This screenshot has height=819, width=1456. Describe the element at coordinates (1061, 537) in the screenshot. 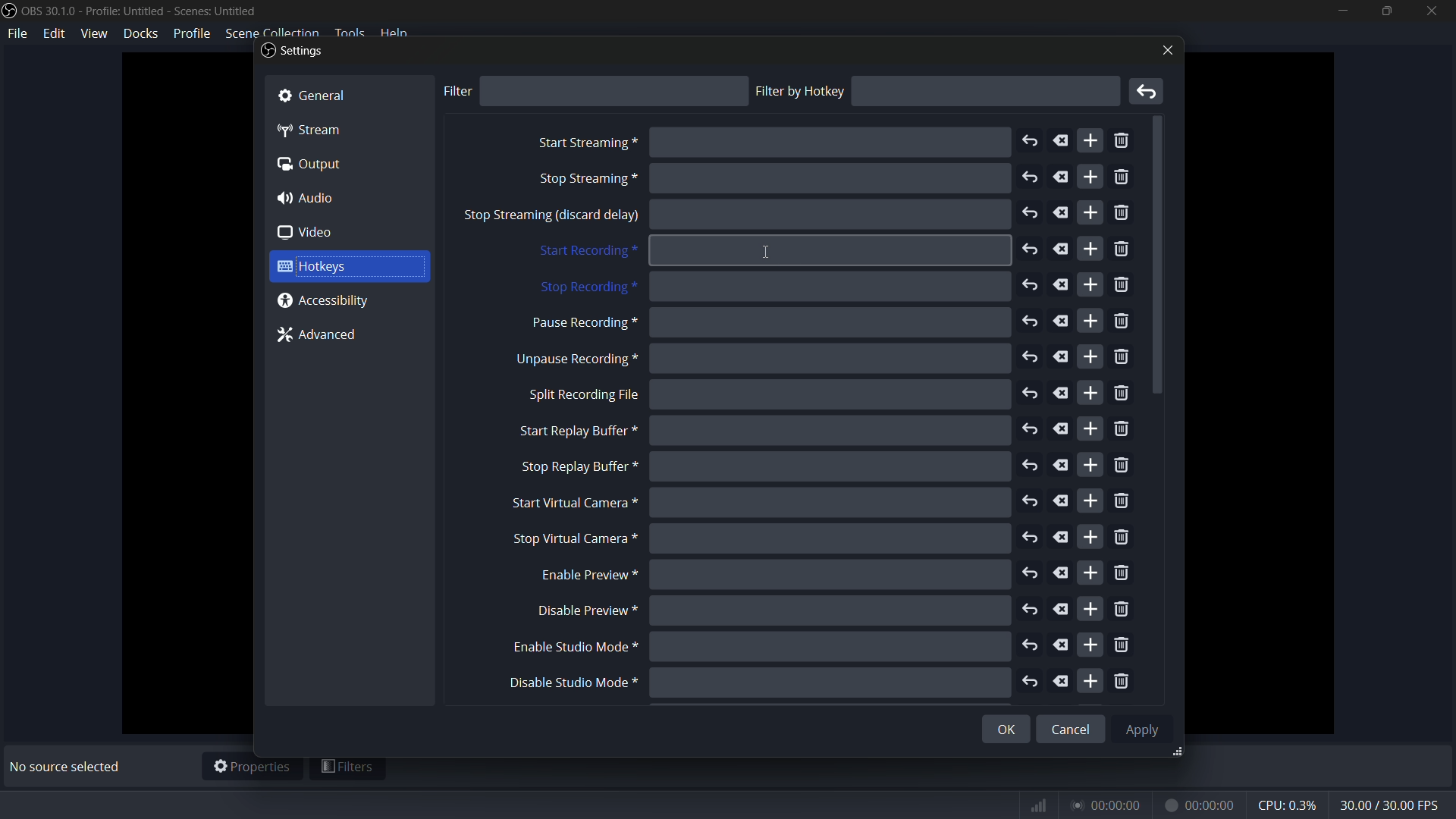

I see `delete` at that location.